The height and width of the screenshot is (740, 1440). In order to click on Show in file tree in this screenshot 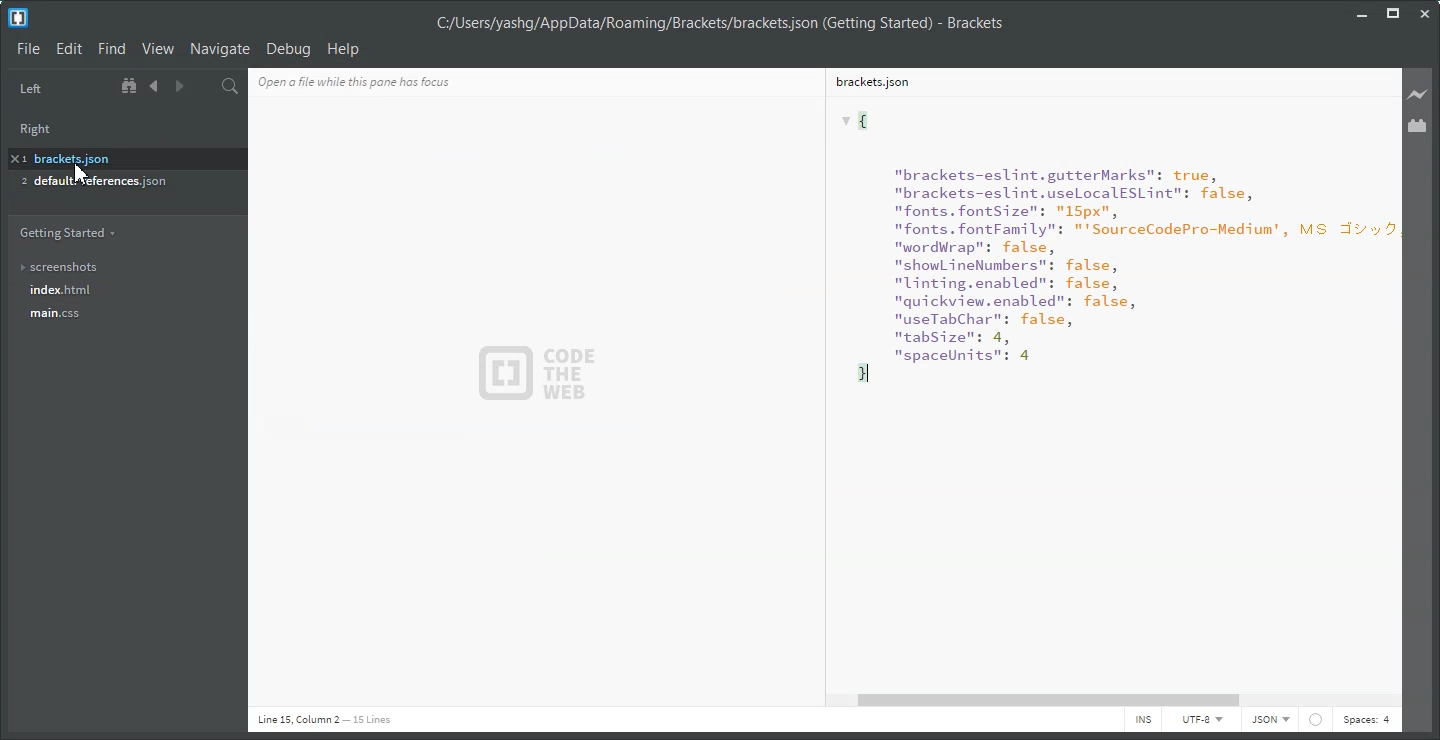, I will do `click(131, 86)`.